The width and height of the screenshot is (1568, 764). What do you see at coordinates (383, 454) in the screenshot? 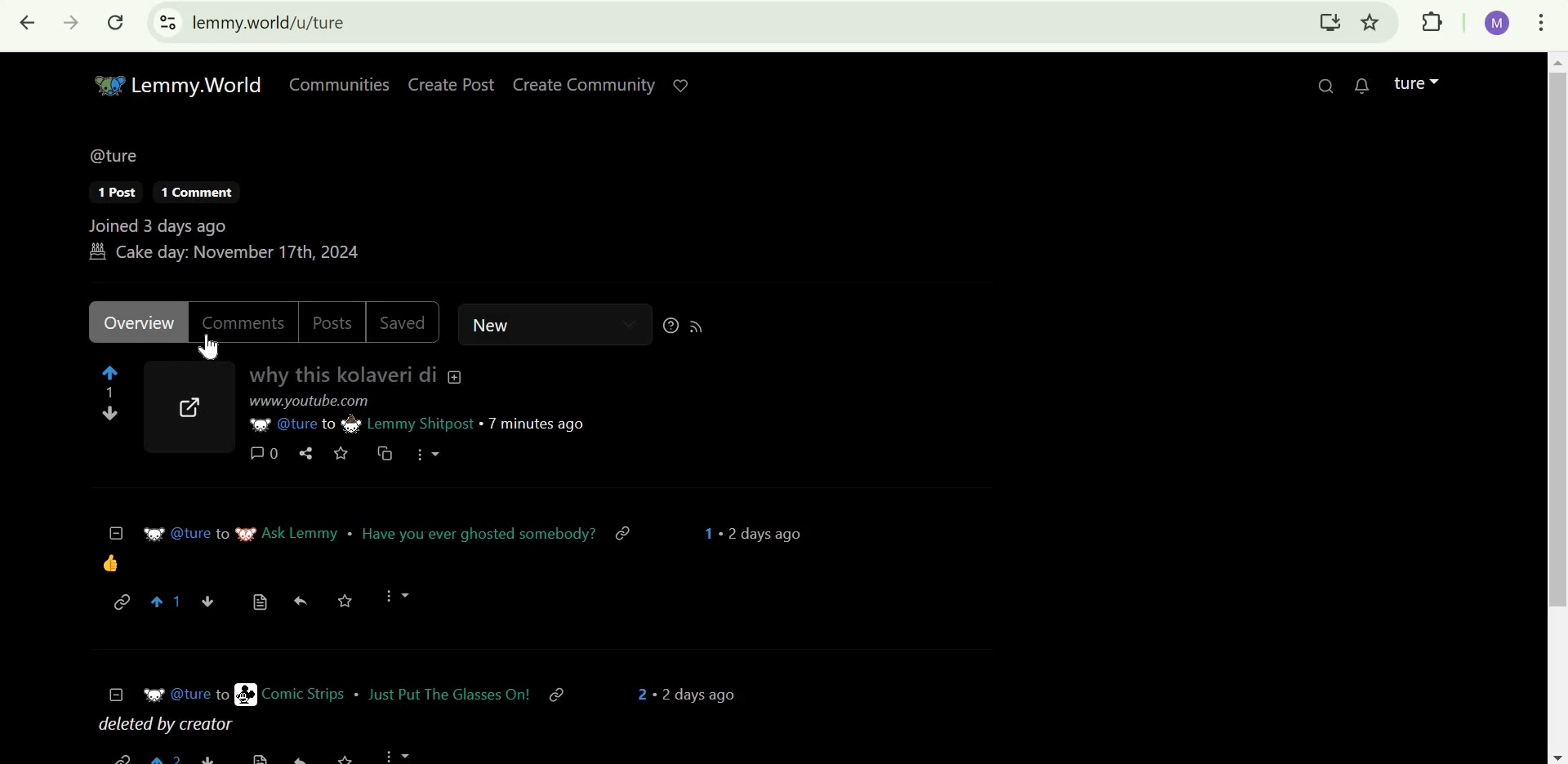
I see `cross-post` at bounding box center [383, 454].